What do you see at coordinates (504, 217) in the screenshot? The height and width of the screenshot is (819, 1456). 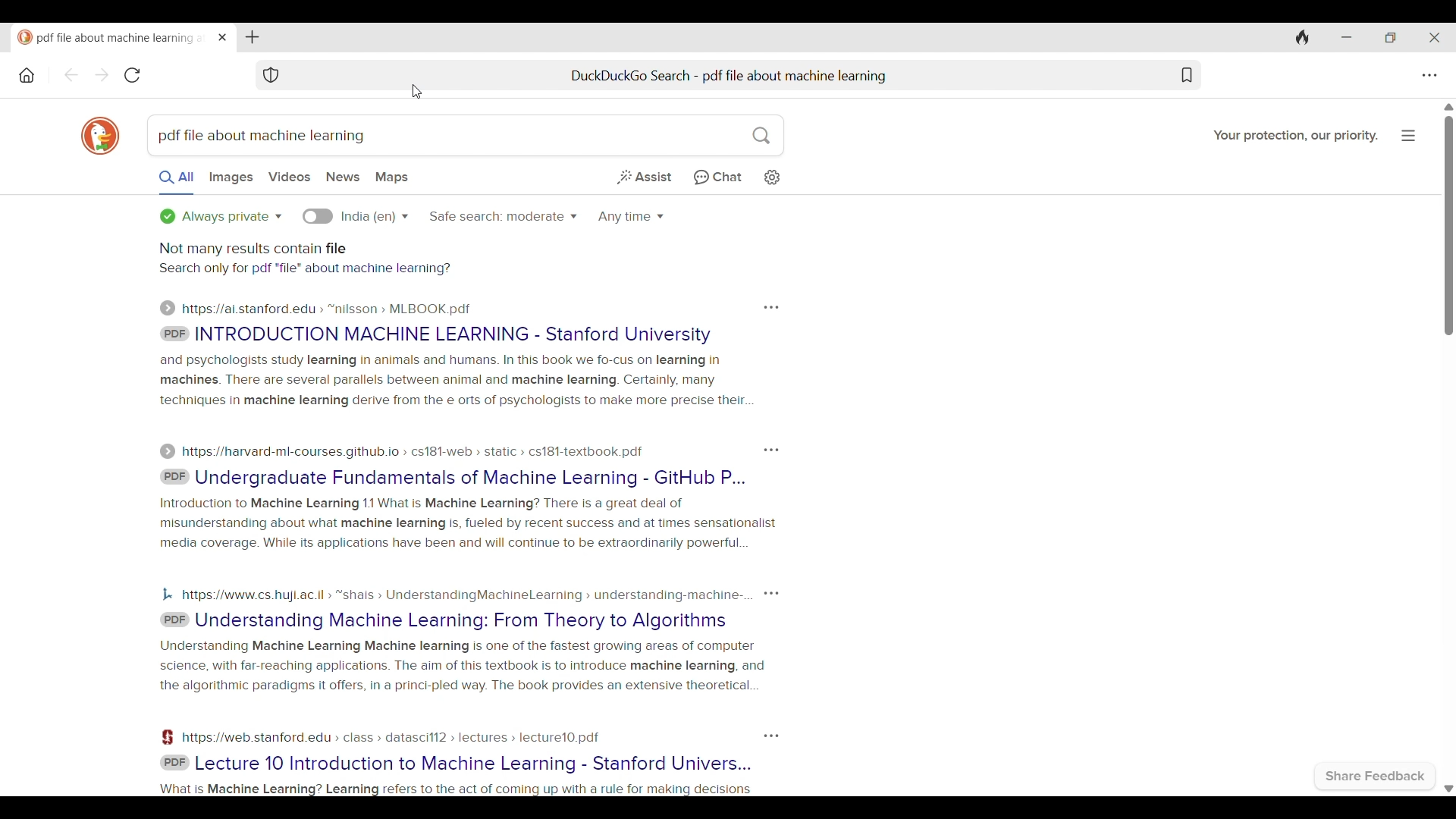 I see `Safe search options ` at bounding box center [504, 217].